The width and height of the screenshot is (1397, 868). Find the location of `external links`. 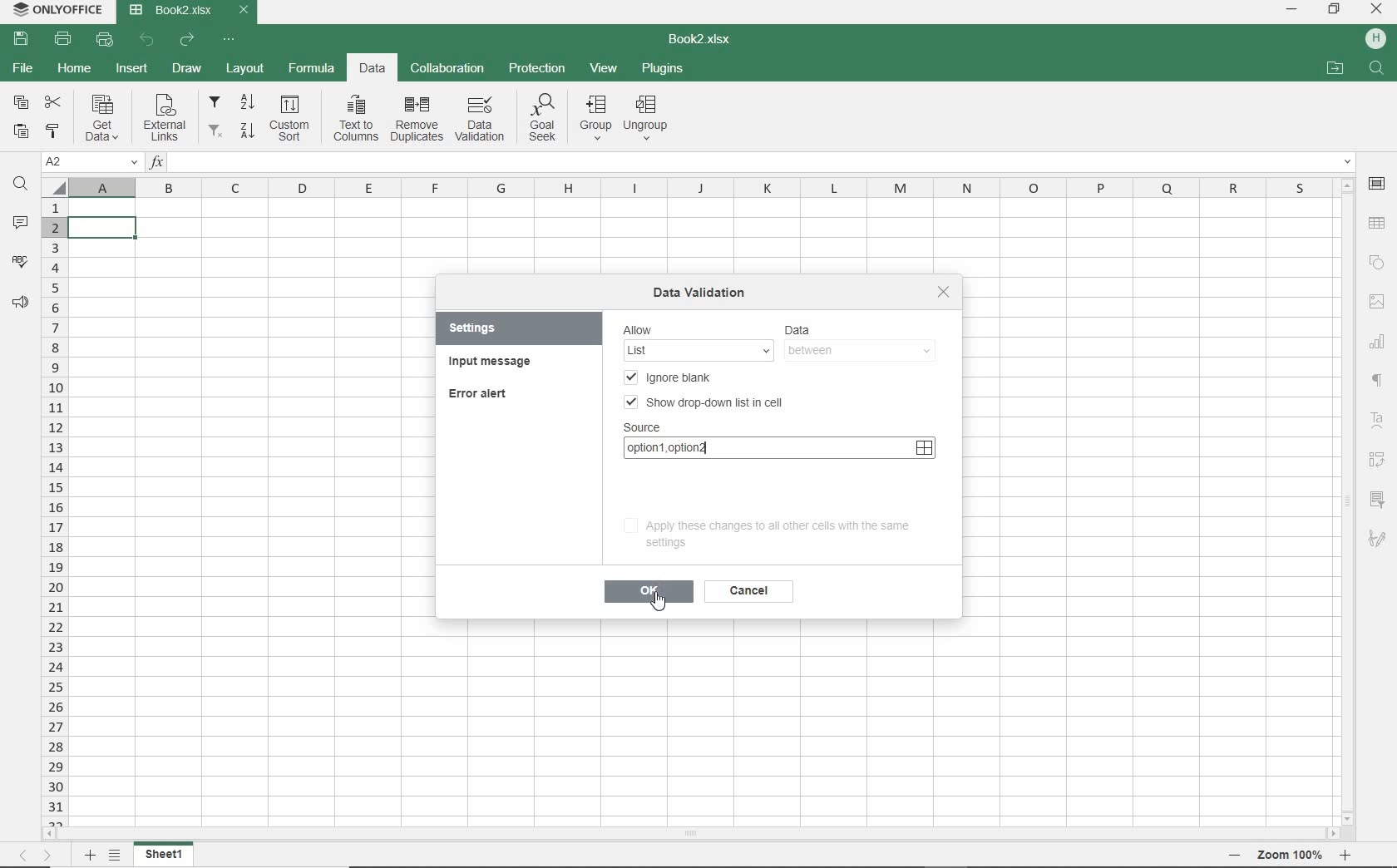

external links is located at coordinates (167, 121).